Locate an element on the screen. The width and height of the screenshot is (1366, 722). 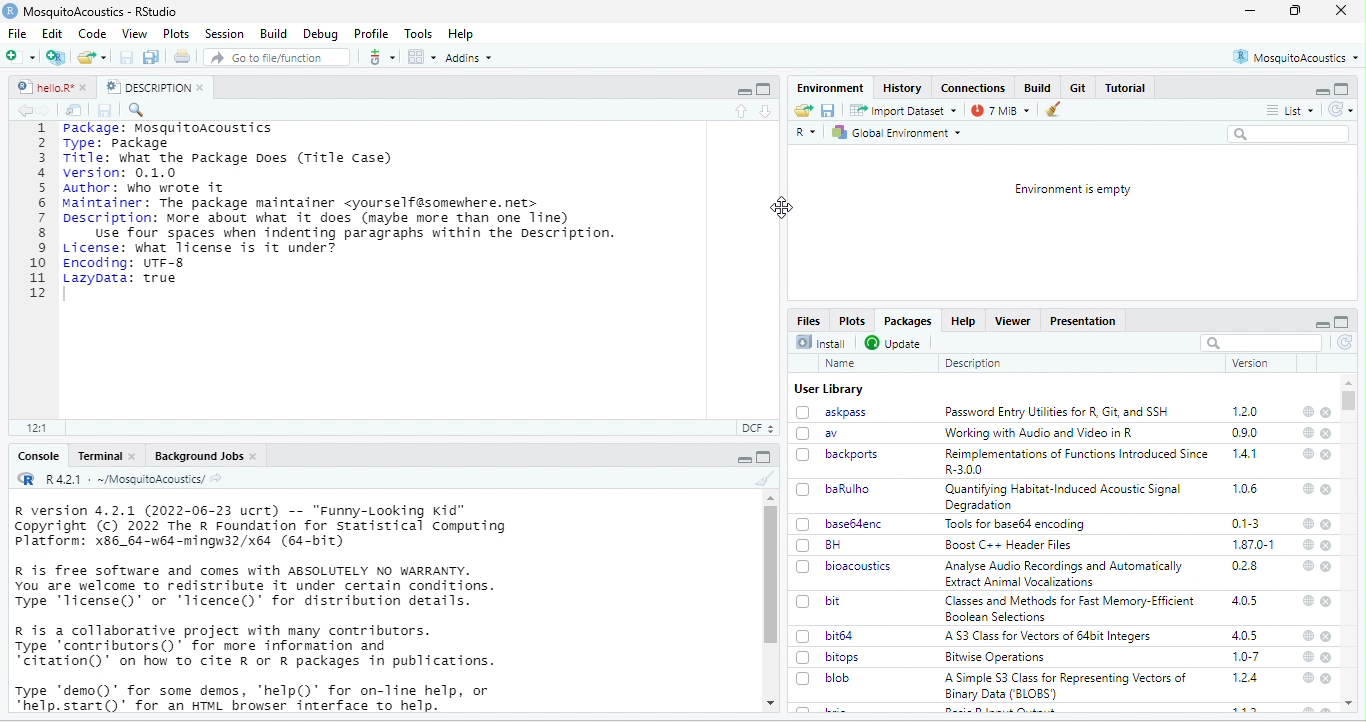
close is located at coordinates (1327, 524).